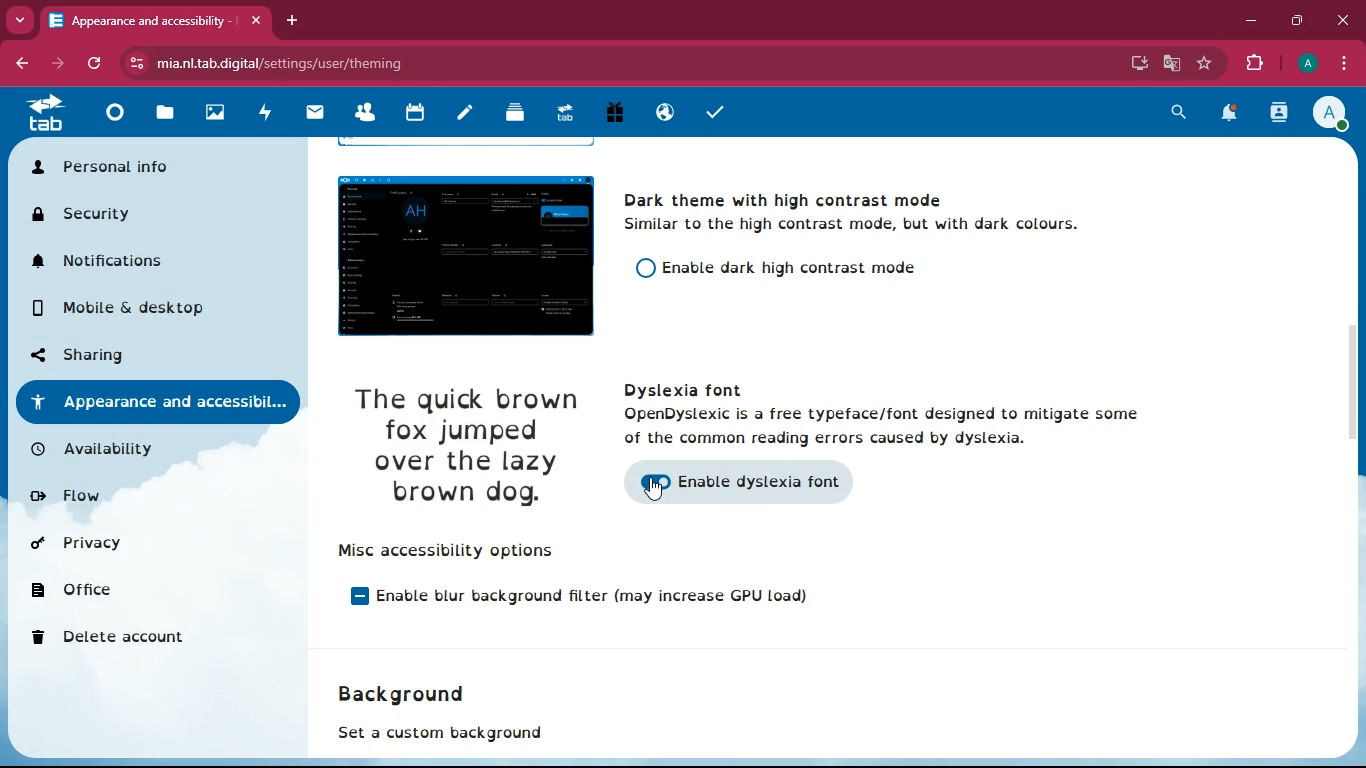  What do you see at coordinates (1255, 64) in the screenshot?
I see `extensions` at bounding box center [1255, 64].